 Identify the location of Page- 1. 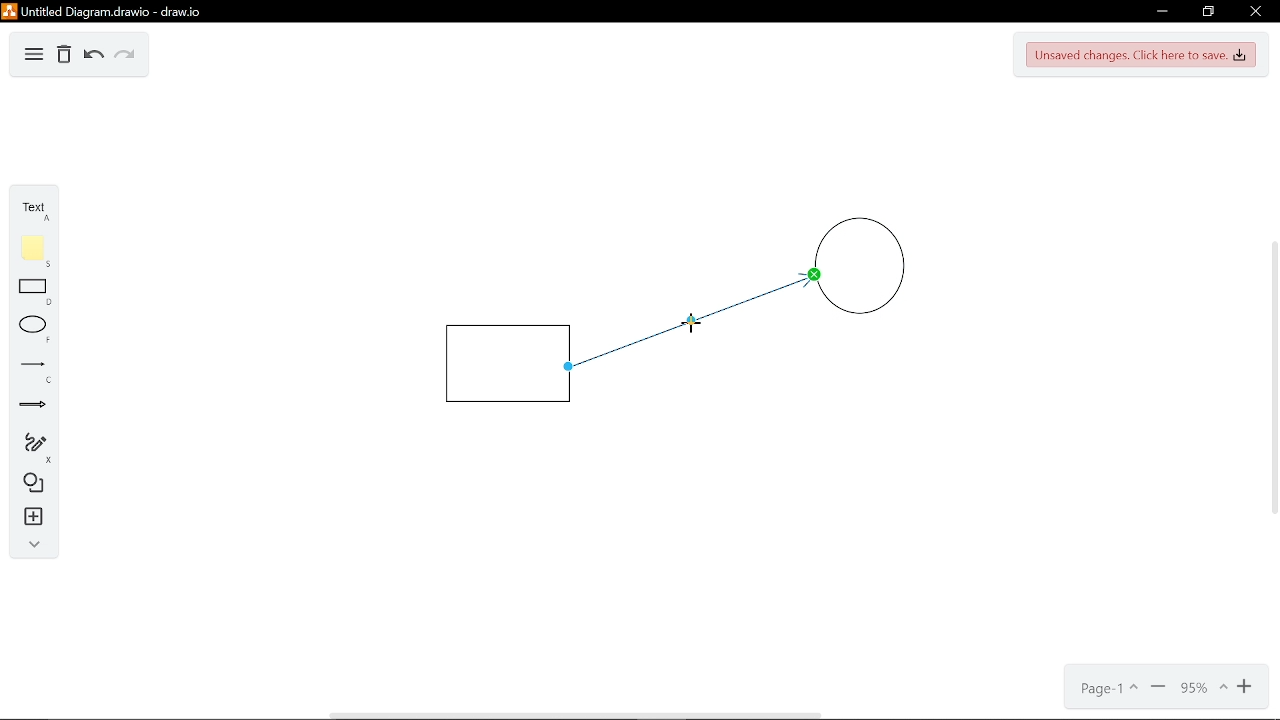
(1107, 690).